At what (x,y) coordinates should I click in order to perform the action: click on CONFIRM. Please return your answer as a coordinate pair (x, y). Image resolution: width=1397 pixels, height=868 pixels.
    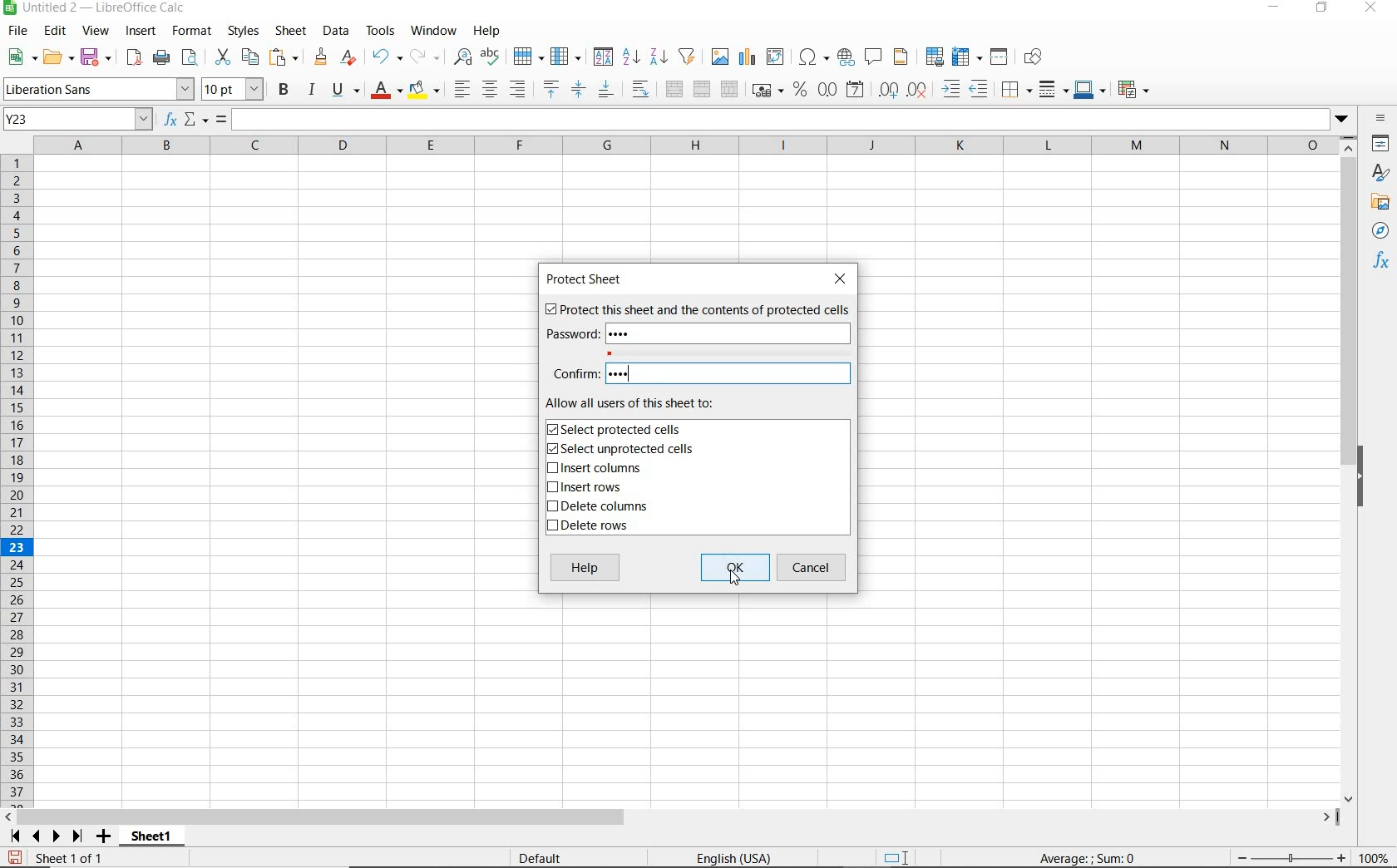
    Looking at the image, I should click on (570, 374).